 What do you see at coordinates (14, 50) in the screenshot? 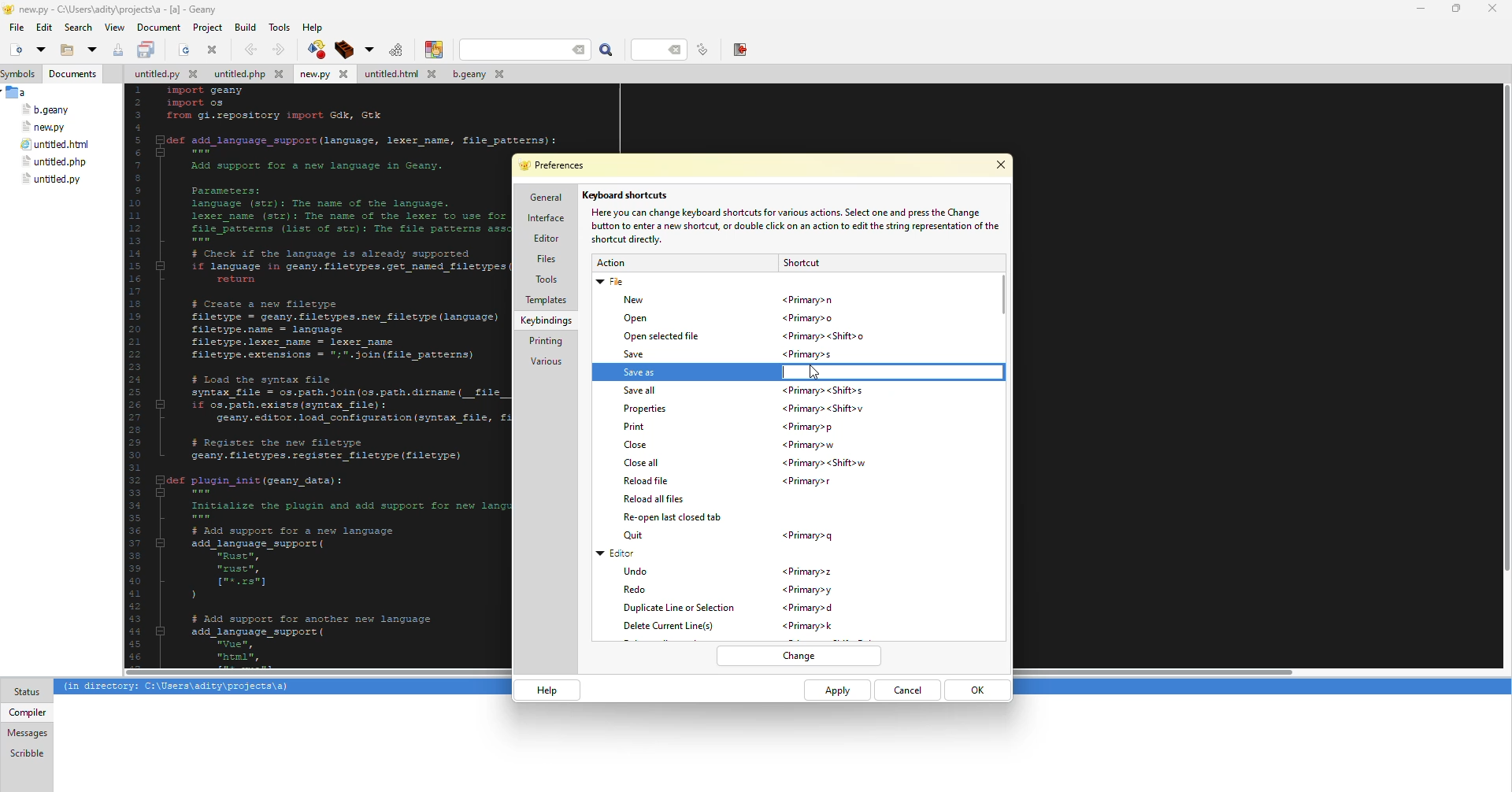
I see `new` at bounding box center [14, 50].